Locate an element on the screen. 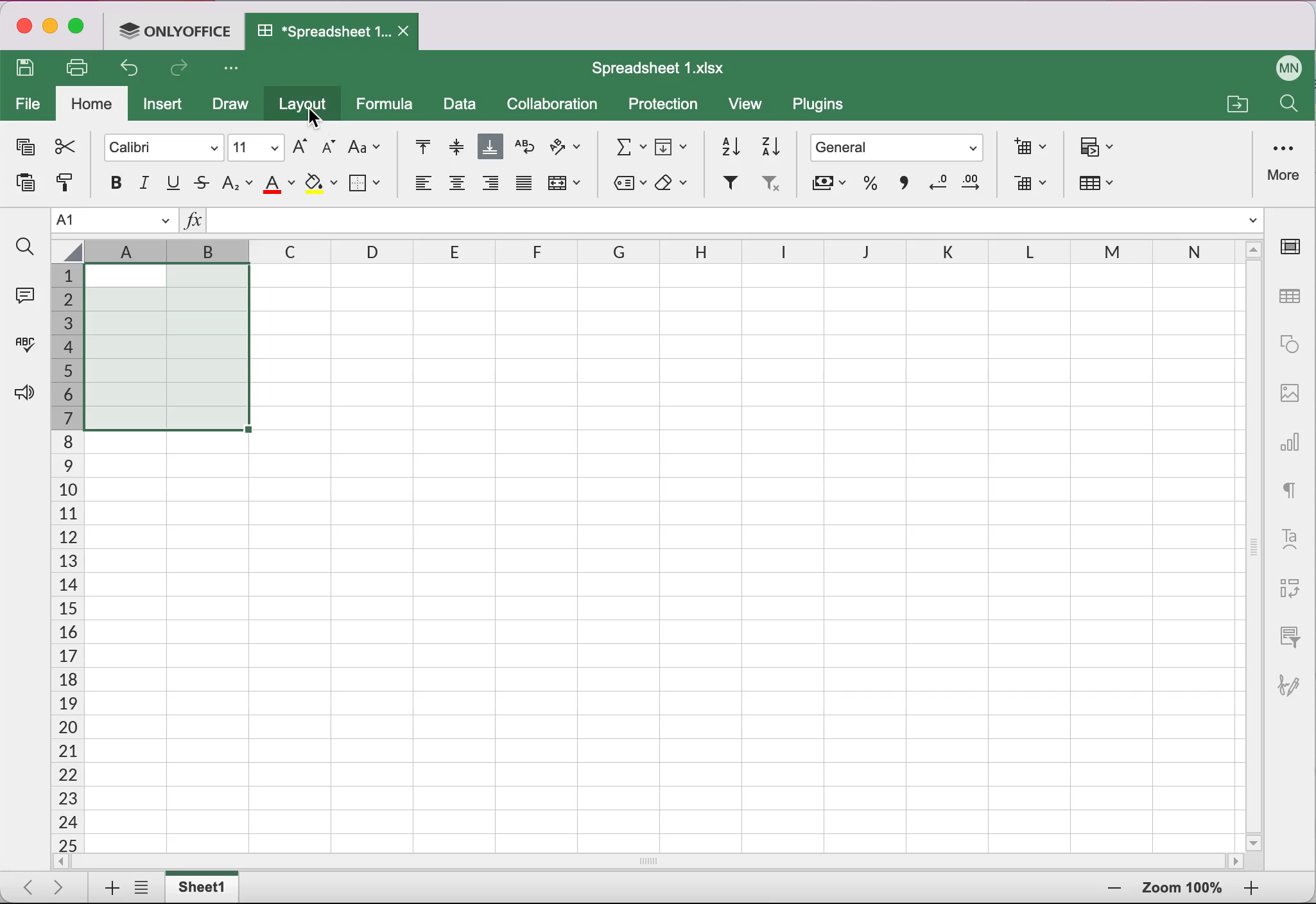 This screenshot has height=904, width=1316. increment font size is located at coordinates (299, 146).